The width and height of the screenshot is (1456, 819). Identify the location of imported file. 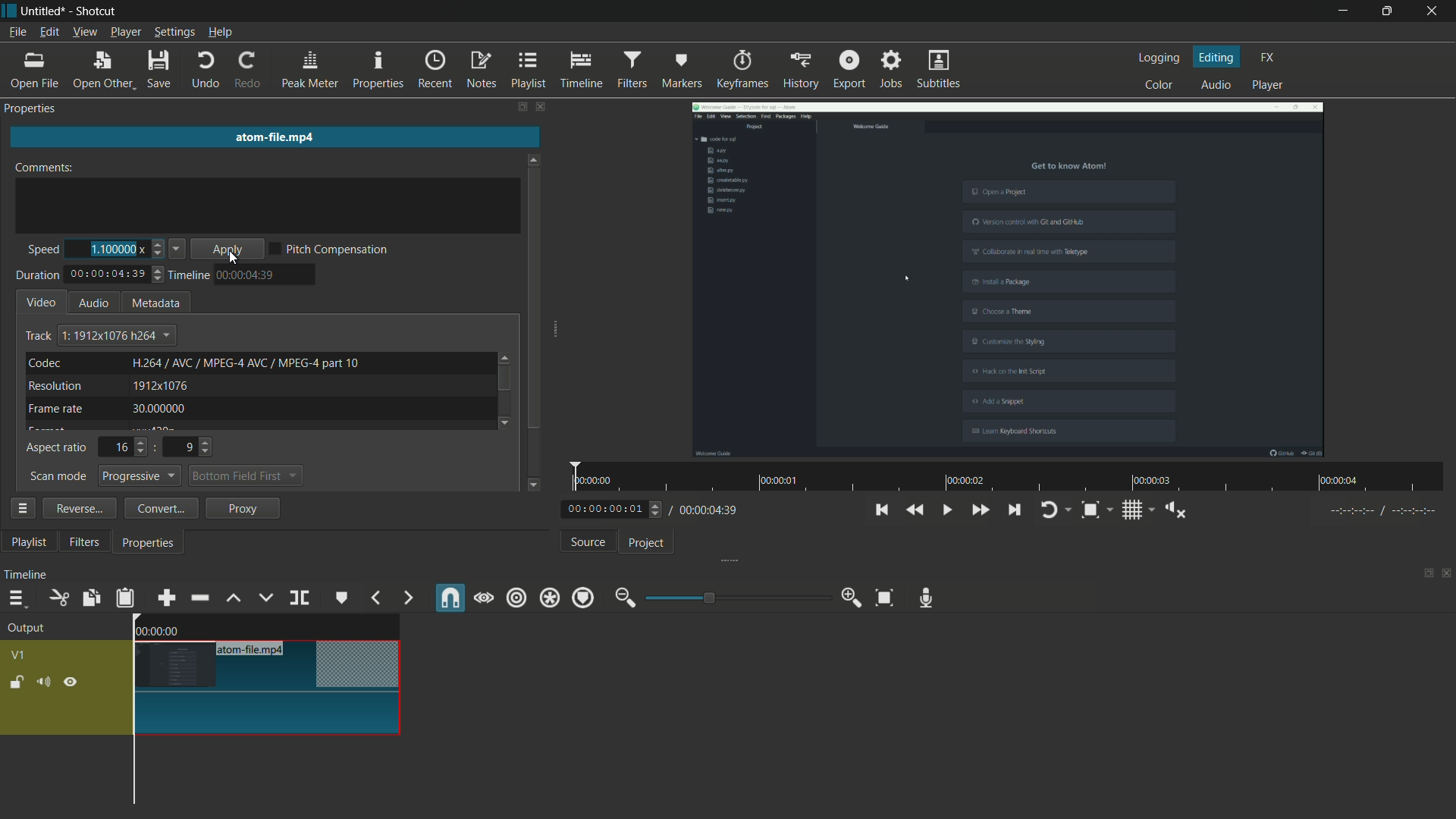
(1009, 279).